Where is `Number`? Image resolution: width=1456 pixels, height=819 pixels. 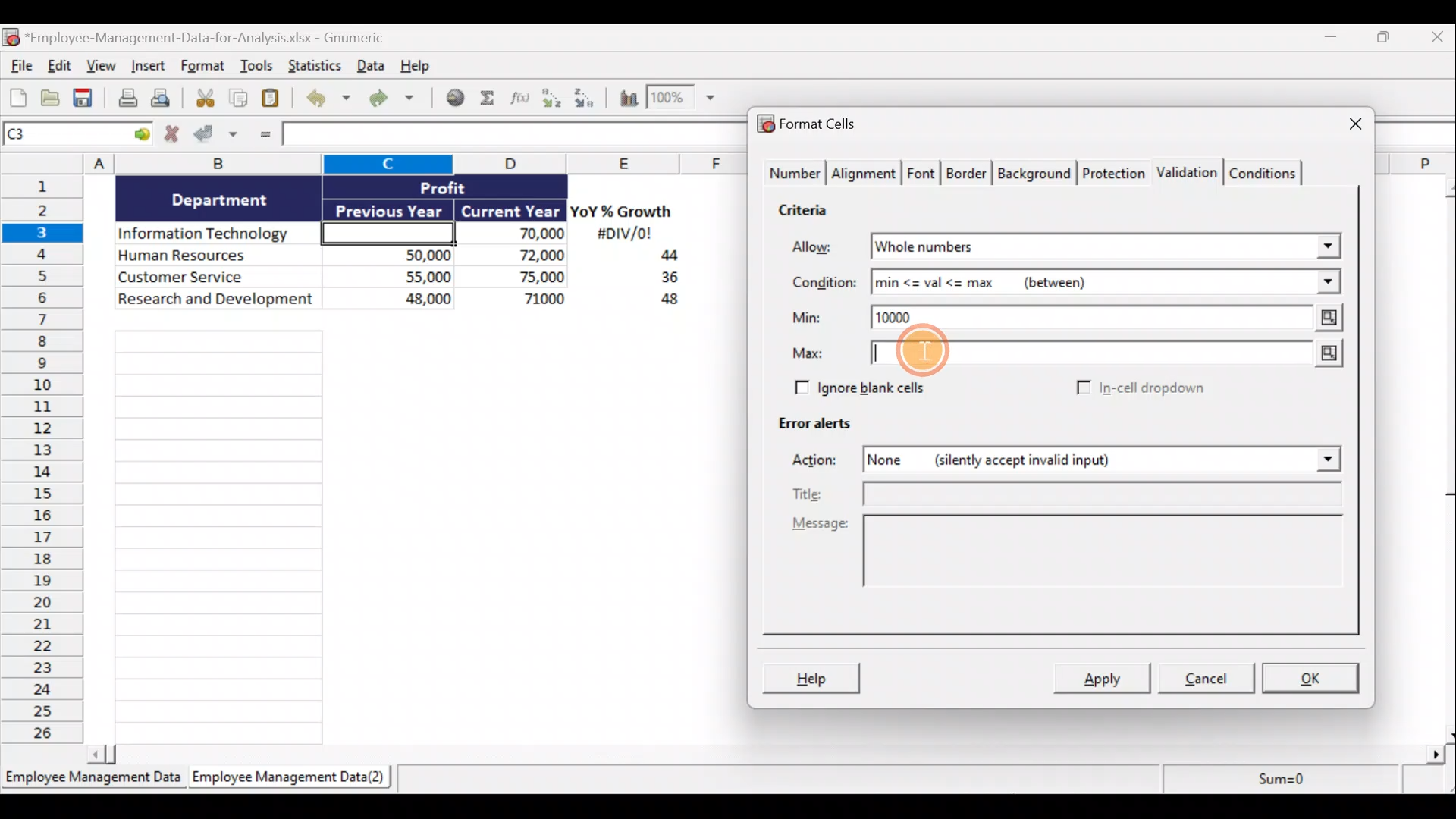
Number is located at coordinates (793, 174).